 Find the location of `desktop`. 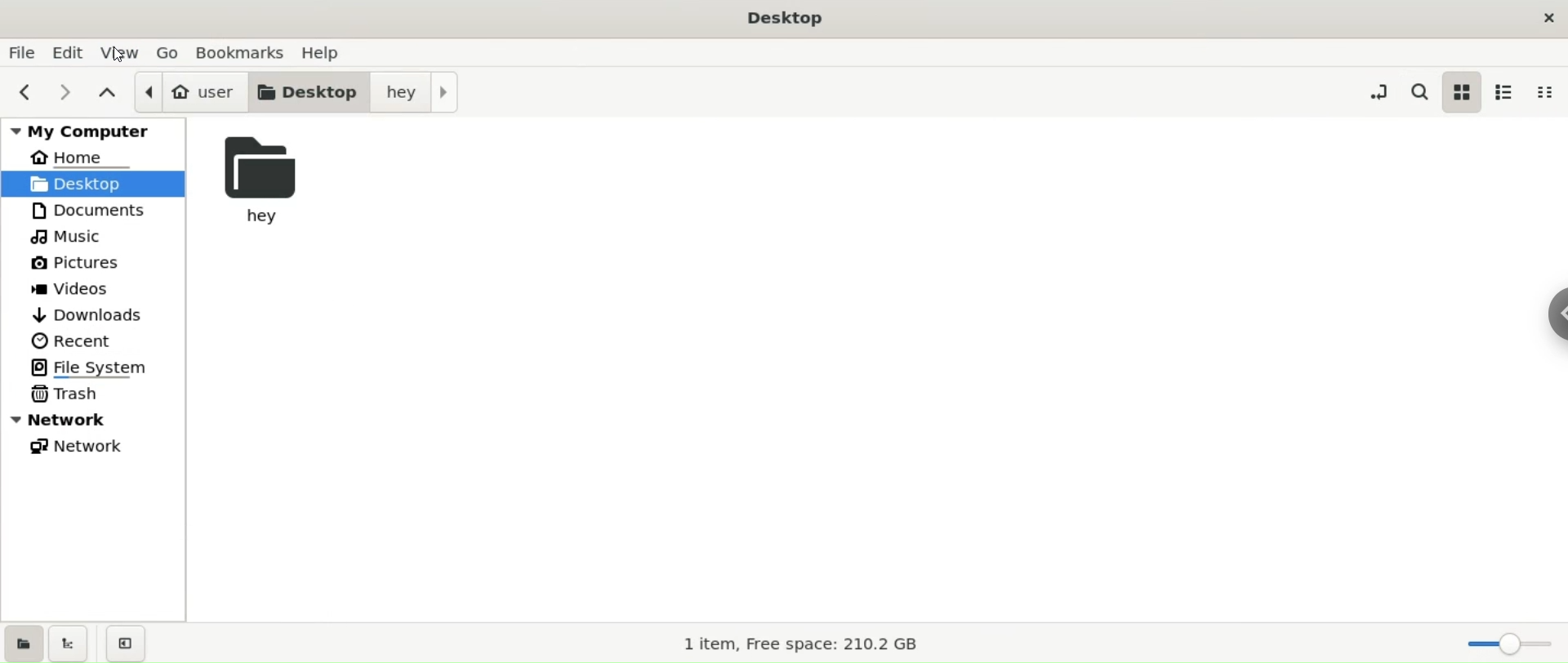

desktop is located at coordinates (306, 91).